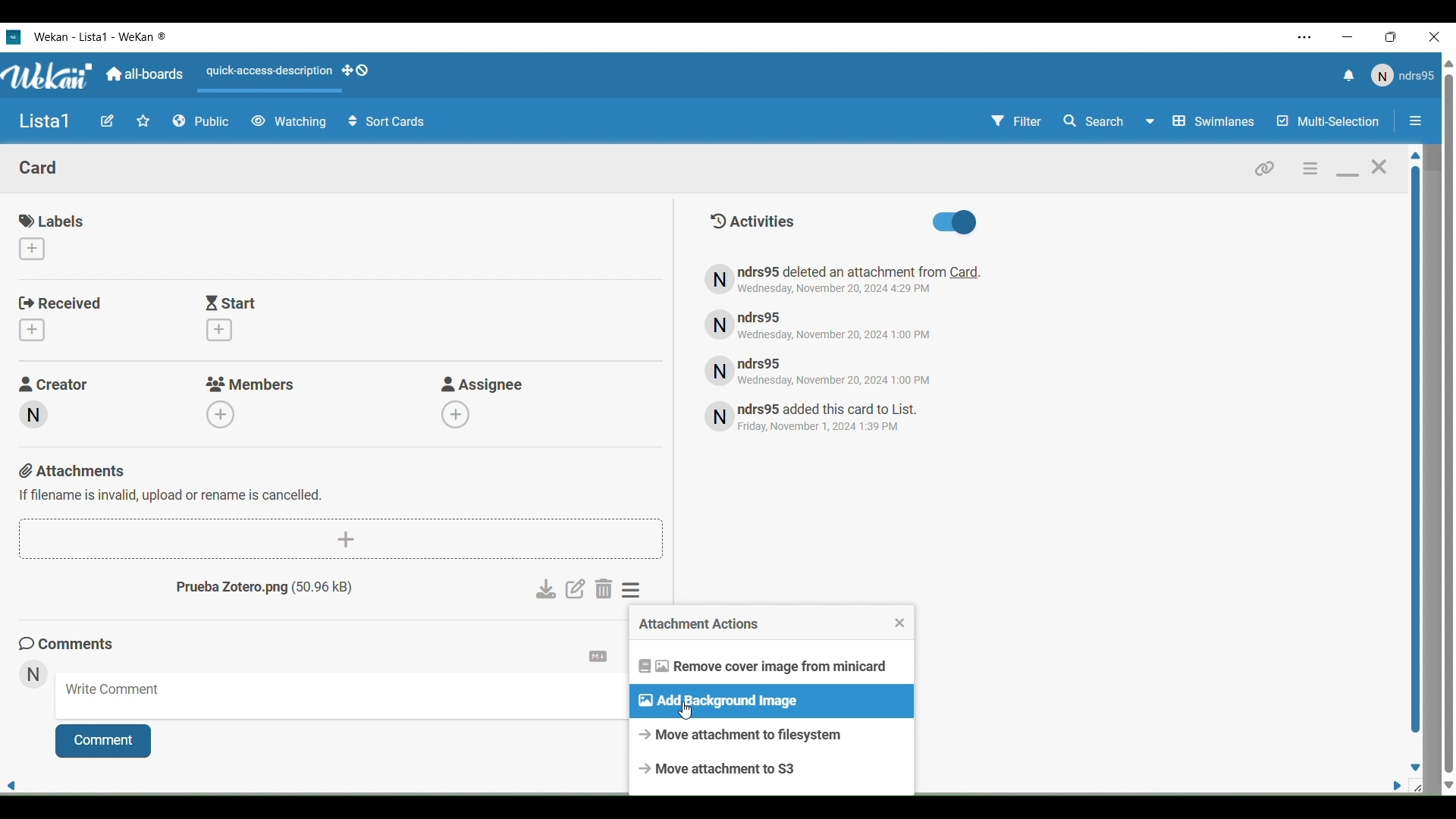 Image resolution: width=1456 pixels, height=819 pixels. What do you see at coordinates (771, 769) in the screenshot?
I see `Move attachment to S3` at bounding box center [771, 769].